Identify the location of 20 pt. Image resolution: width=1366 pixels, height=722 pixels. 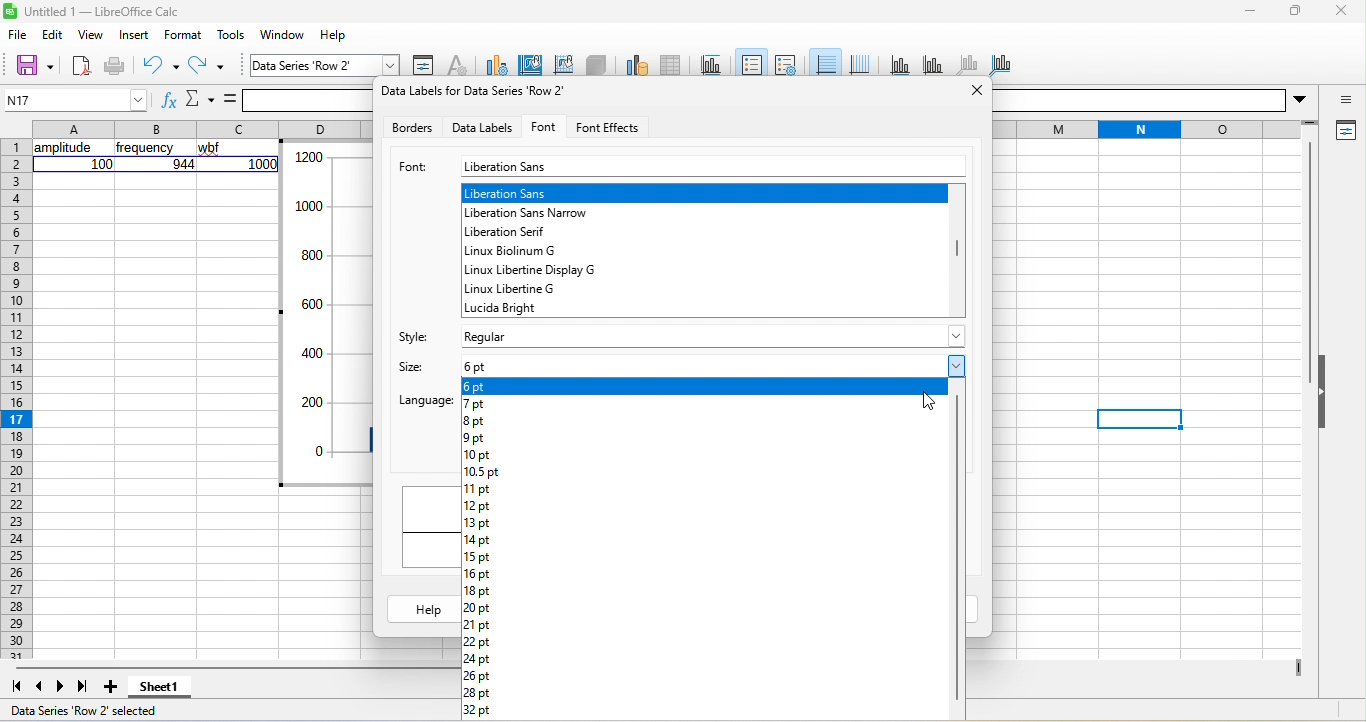
(478, 609).